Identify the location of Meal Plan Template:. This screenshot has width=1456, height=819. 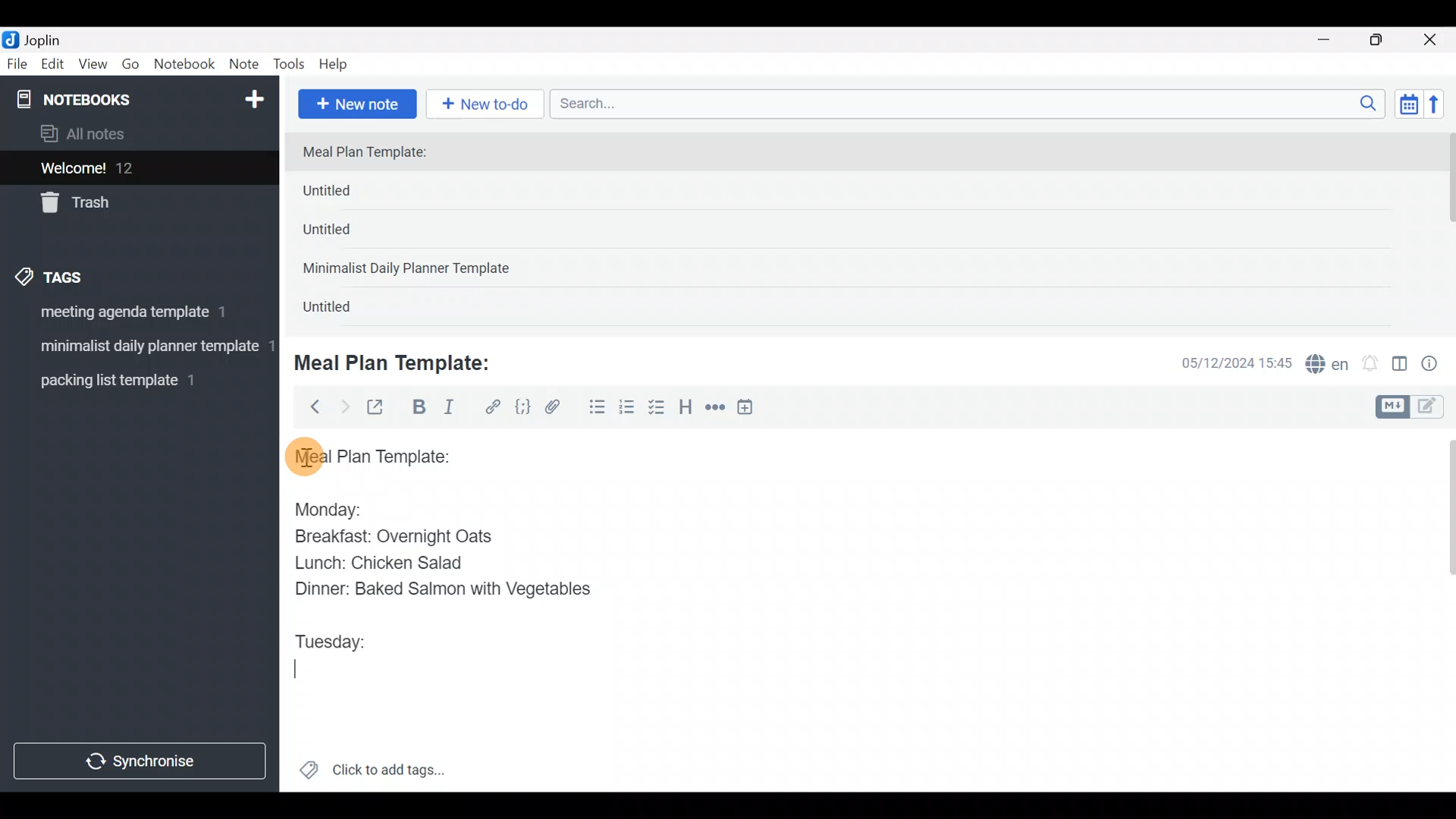
(374, 153).